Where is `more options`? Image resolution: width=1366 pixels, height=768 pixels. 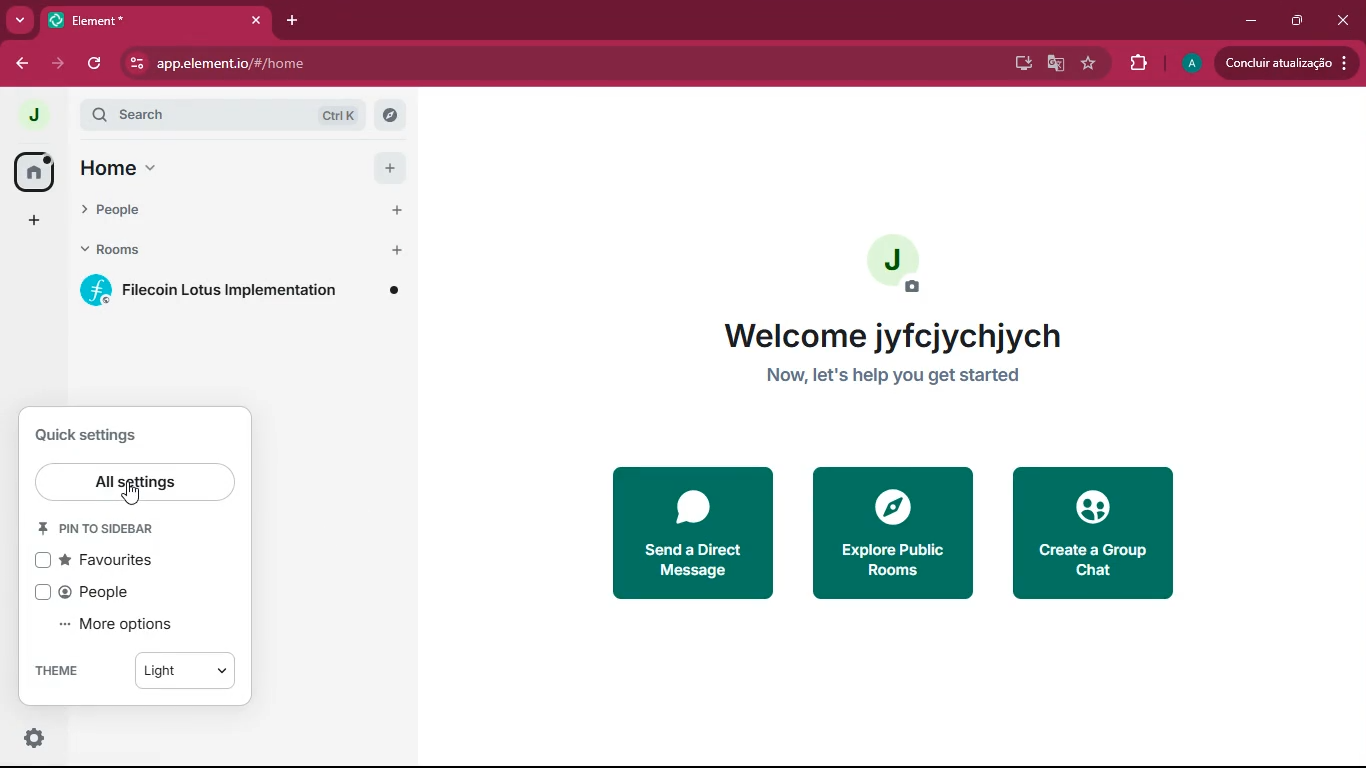 more options is located at coordinates (124, 625).